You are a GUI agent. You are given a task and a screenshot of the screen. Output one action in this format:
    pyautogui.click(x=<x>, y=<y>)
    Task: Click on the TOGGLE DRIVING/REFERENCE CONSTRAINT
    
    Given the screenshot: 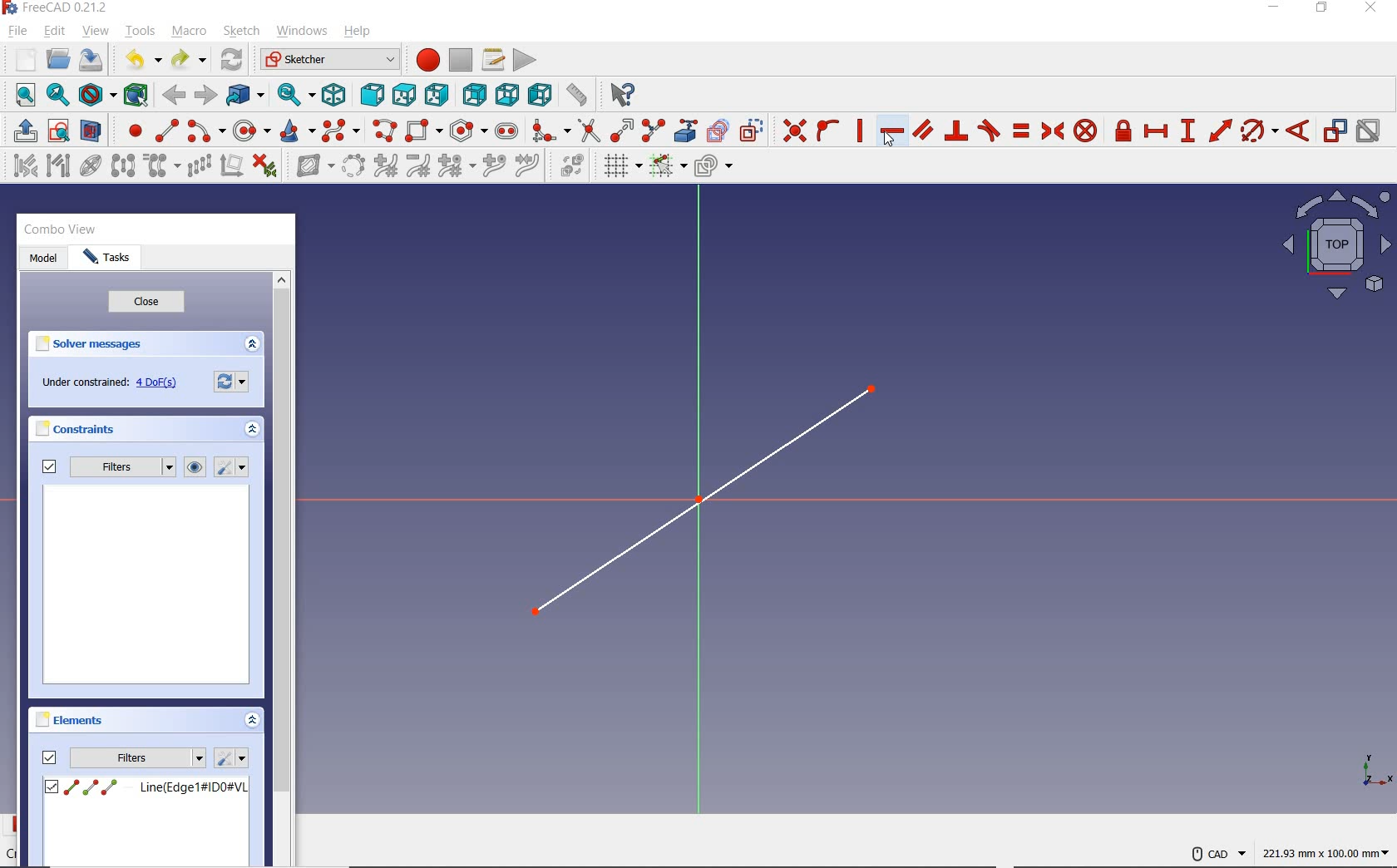 What is the action you would take?
    pyautogui.click(x=1334, y=131)
    